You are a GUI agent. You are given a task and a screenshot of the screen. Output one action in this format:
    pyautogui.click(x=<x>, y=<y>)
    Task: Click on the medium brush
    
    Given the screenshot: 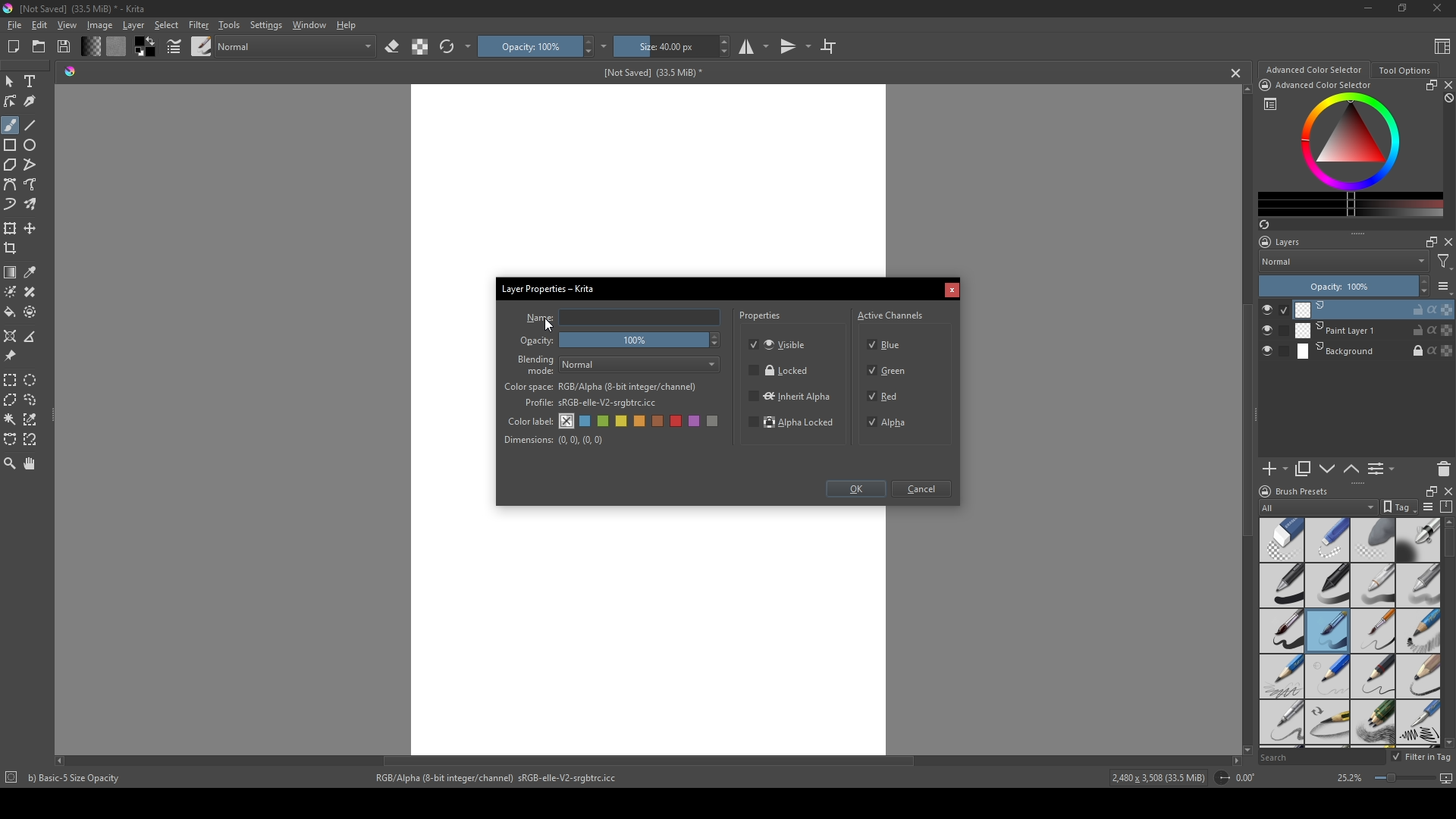 What is the action you would take?
    pyautogui.click(x=1327, y=631)
    